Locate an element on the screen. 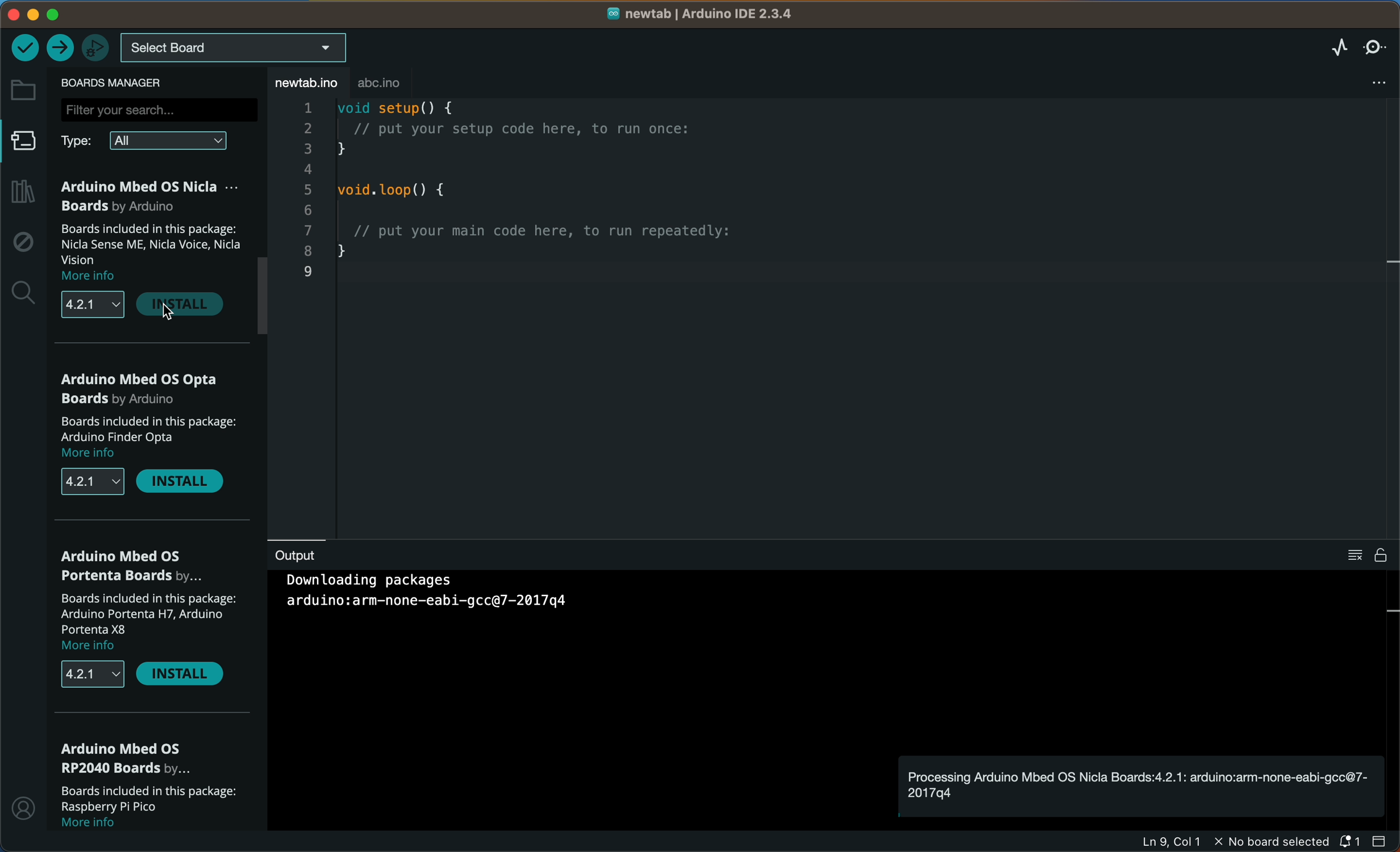 This screenshot has height=852, width=1400. type filter is located at coordinates (81, 142).